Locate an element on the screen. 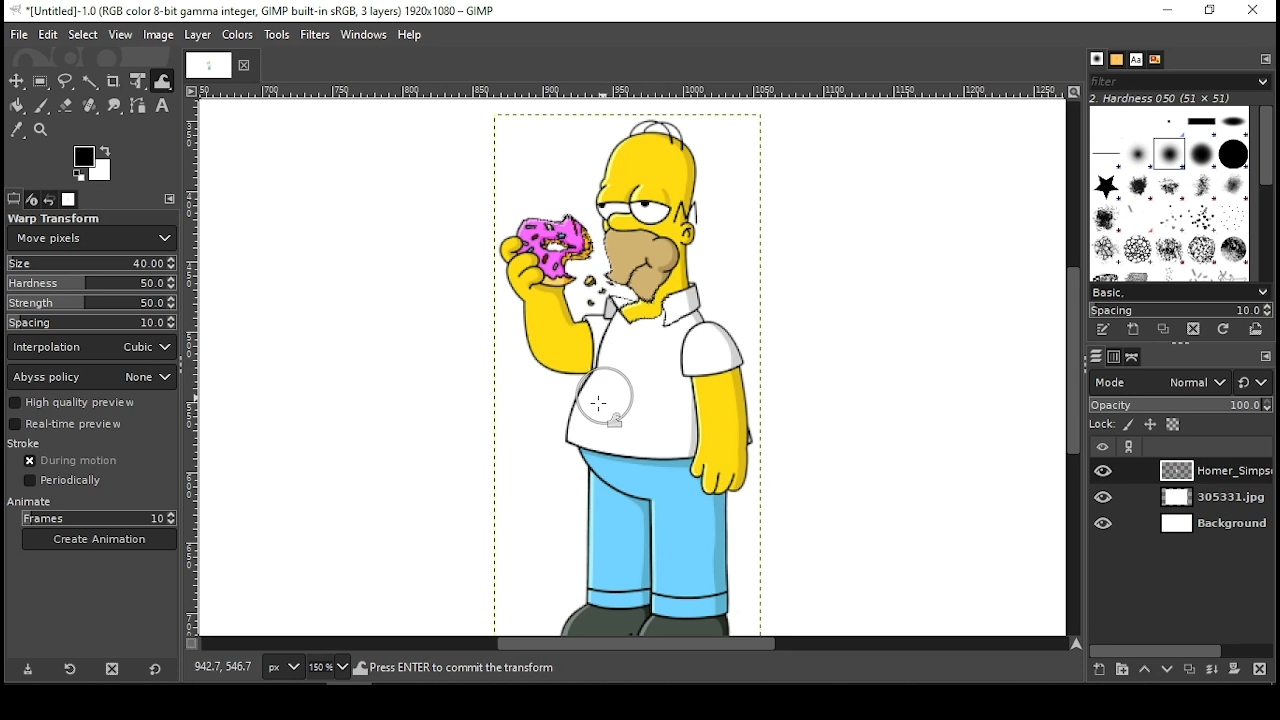 The width and height of the screenshot is (1280, 720). lock alpha channel is located at coordinates (1172, 424).